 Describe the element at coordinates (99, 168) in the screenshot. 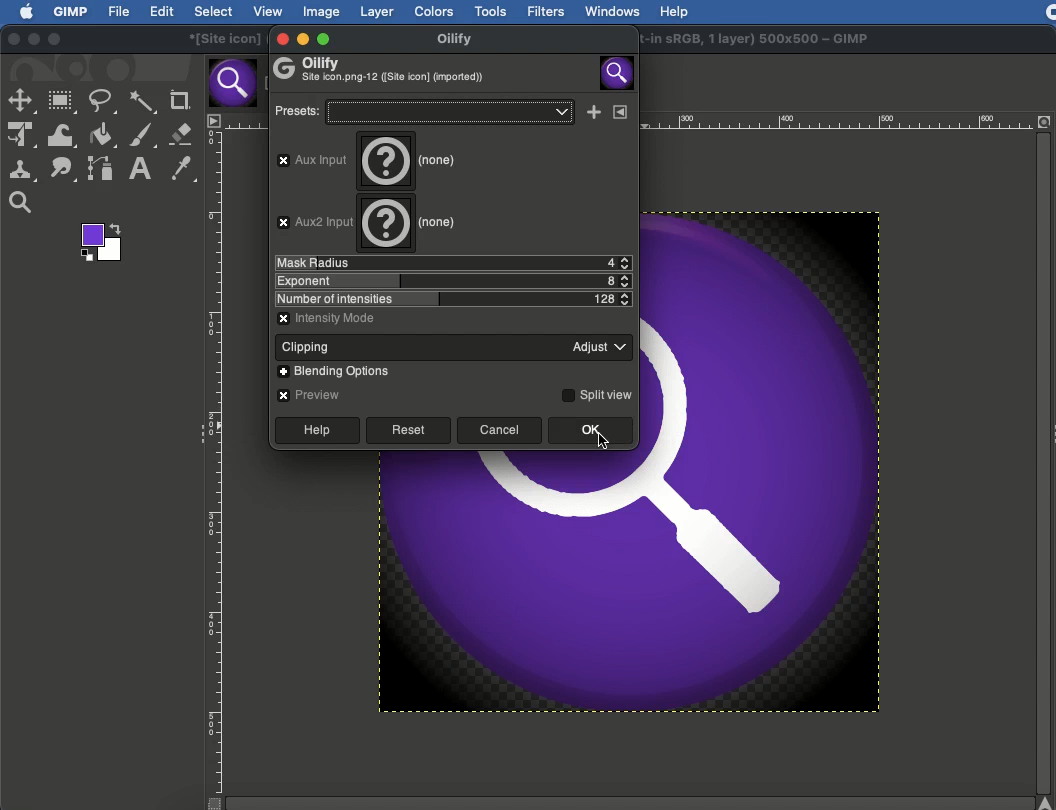

I see `Path` at that location.